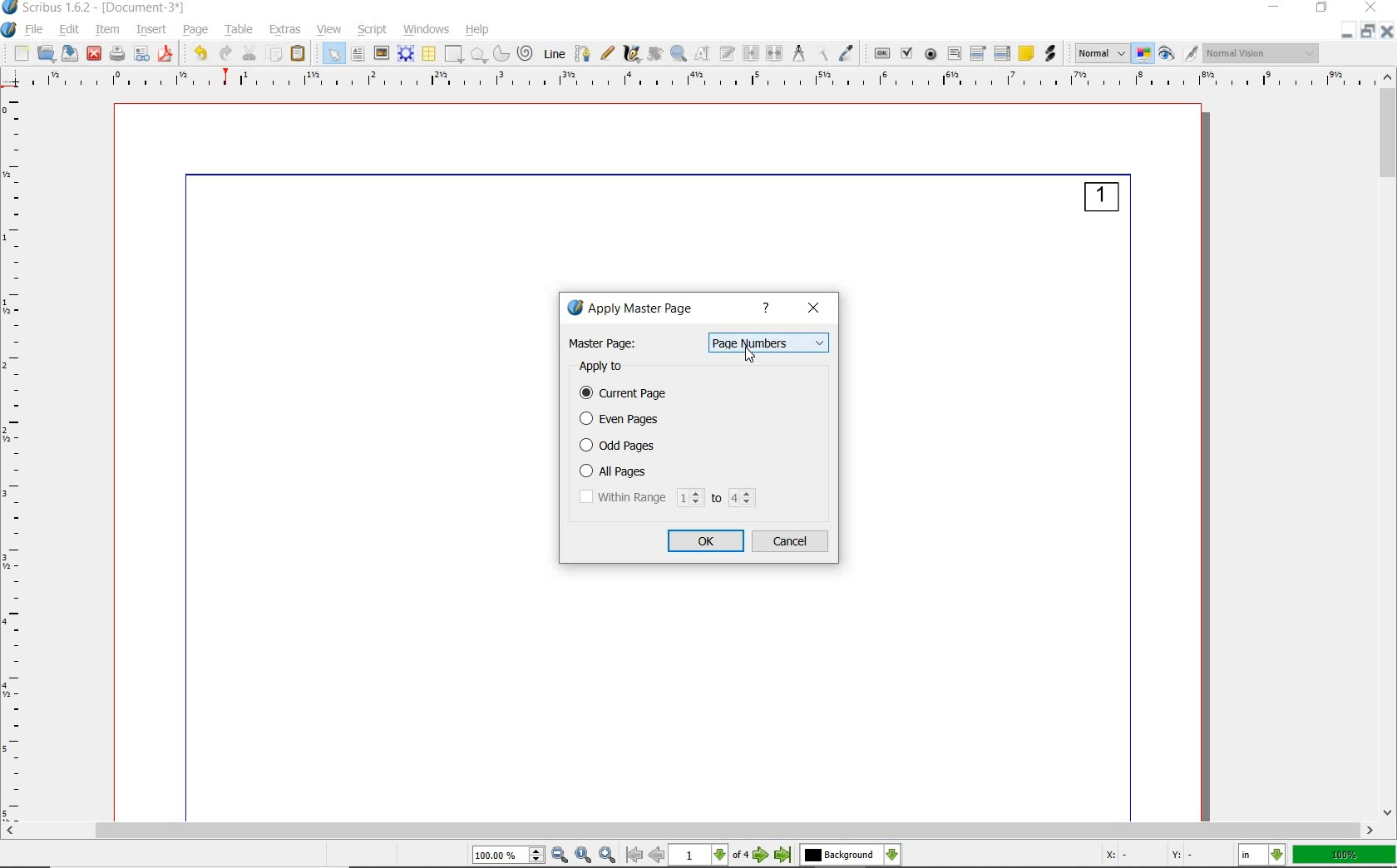  I want to click on polygon, so click(481, 54).